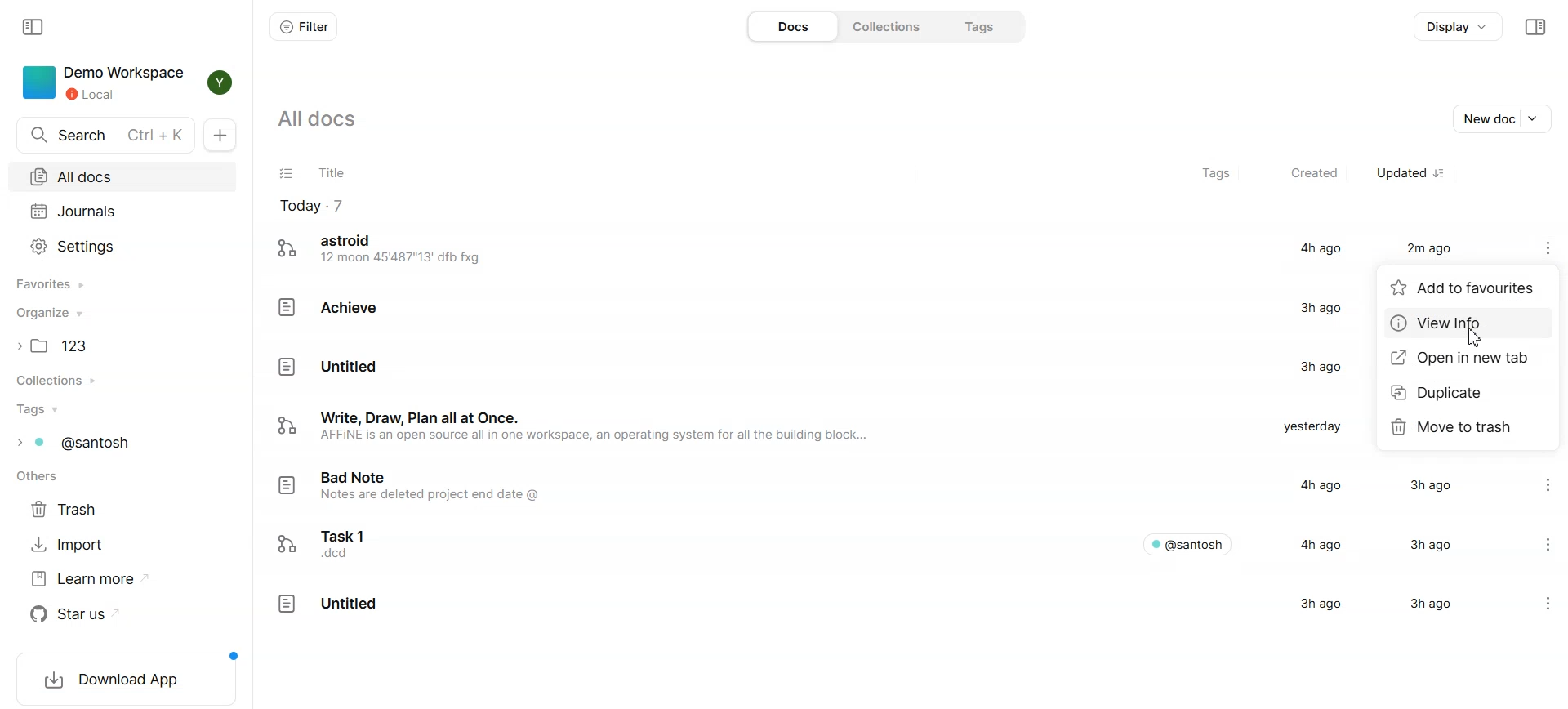  I want to click on Trash, so click(72, 509).